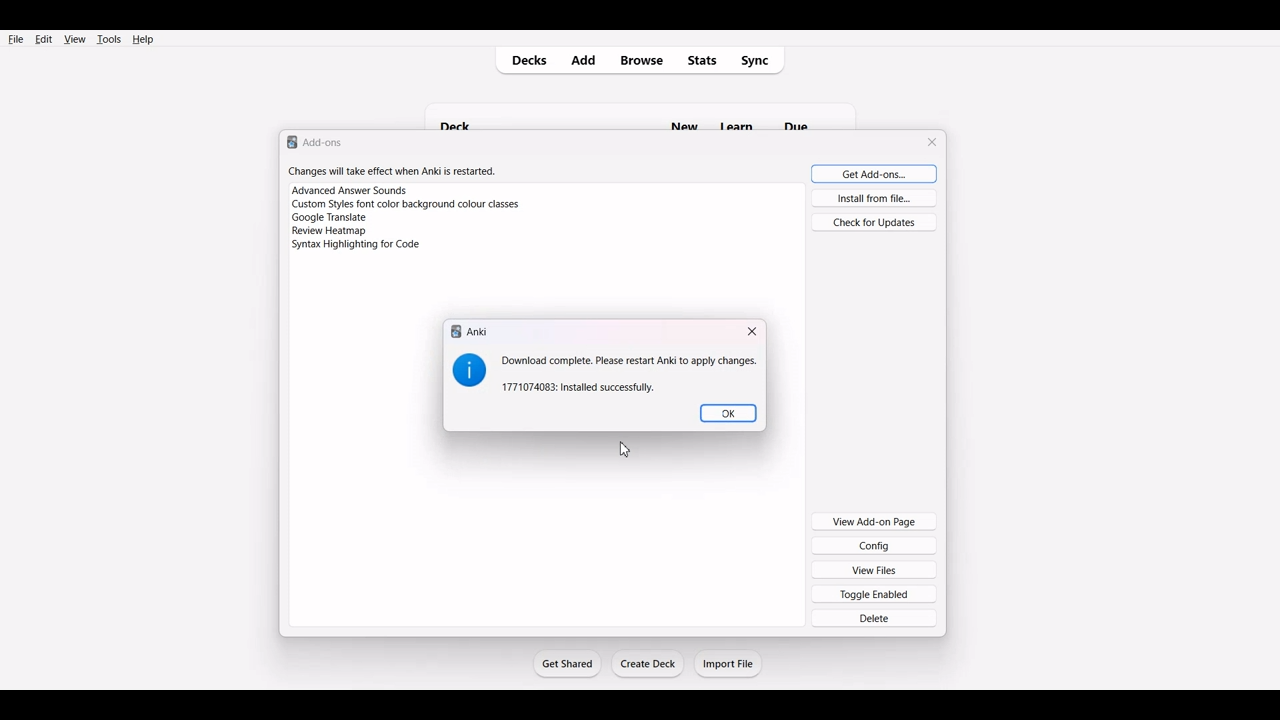 This screenshot has width=1280, height=720. Describe the element at coordinates (874, 520) in the screenshot. I see `View Add-on Page` at that location.